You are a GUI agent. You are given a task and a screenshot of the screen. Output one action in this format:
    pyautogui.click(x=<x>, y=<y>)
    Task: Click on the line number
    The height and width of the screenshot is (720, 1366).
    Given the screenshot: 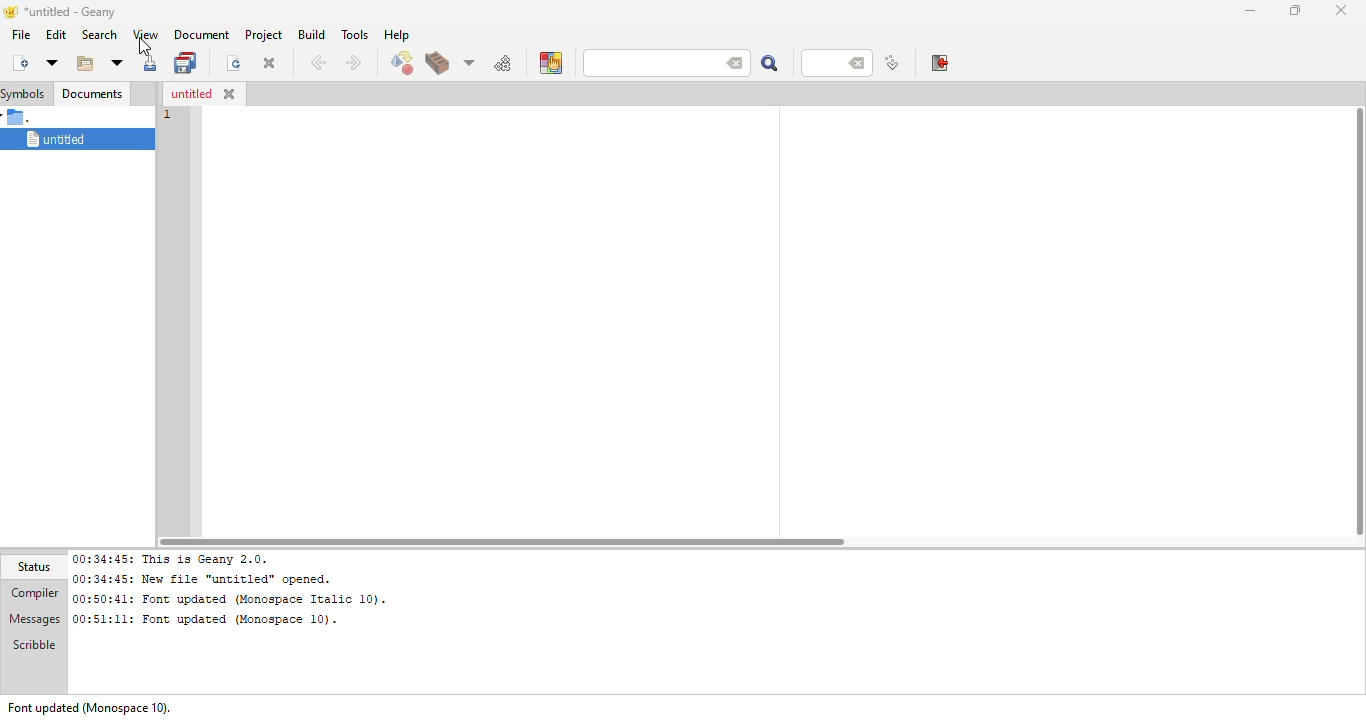 What is the action you would take?
    pyautogui.click(x=164, y=115)
    